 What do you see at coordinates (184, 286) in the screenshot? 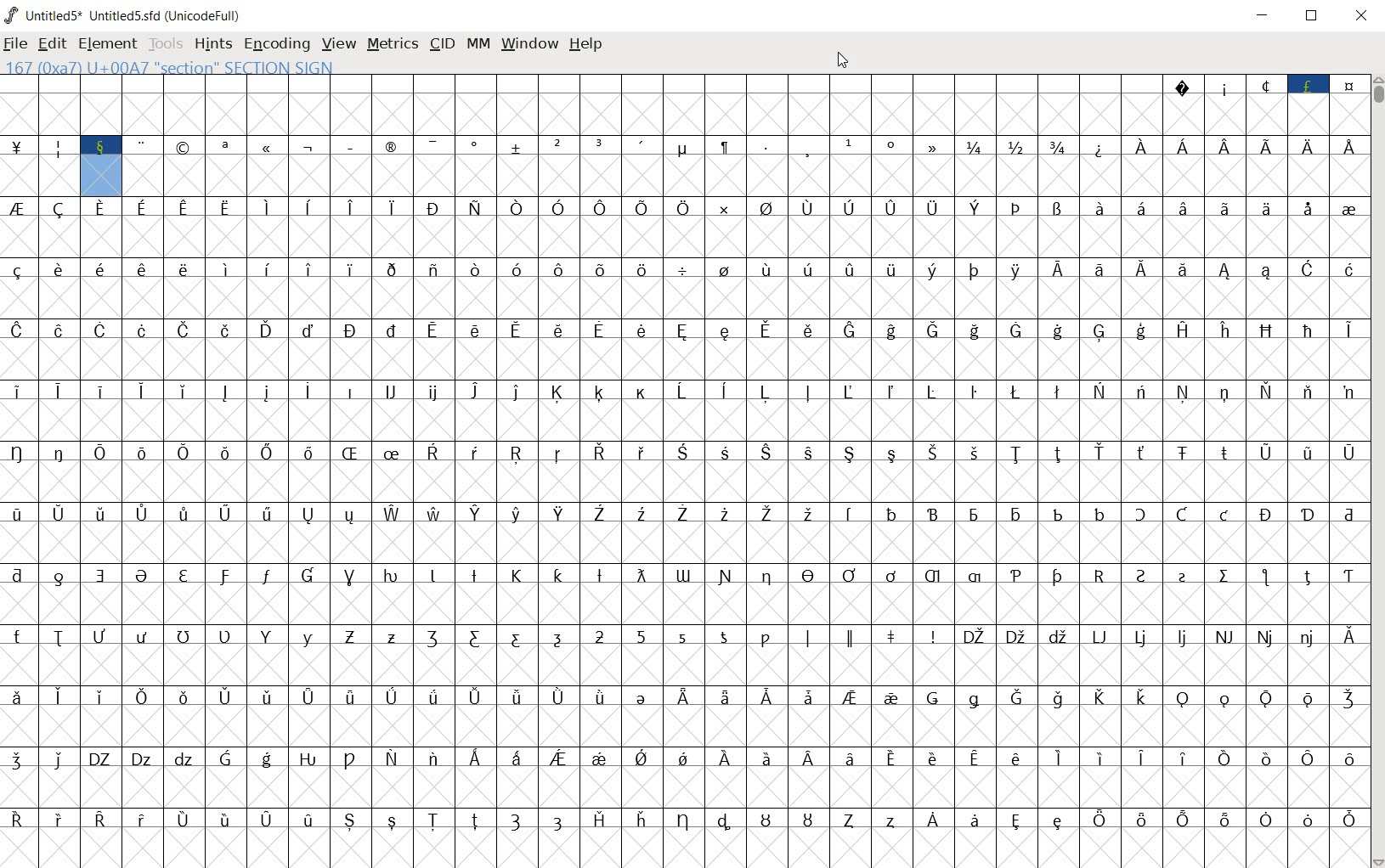
I see `Latin extended characters` at bounding box center [184, 286].